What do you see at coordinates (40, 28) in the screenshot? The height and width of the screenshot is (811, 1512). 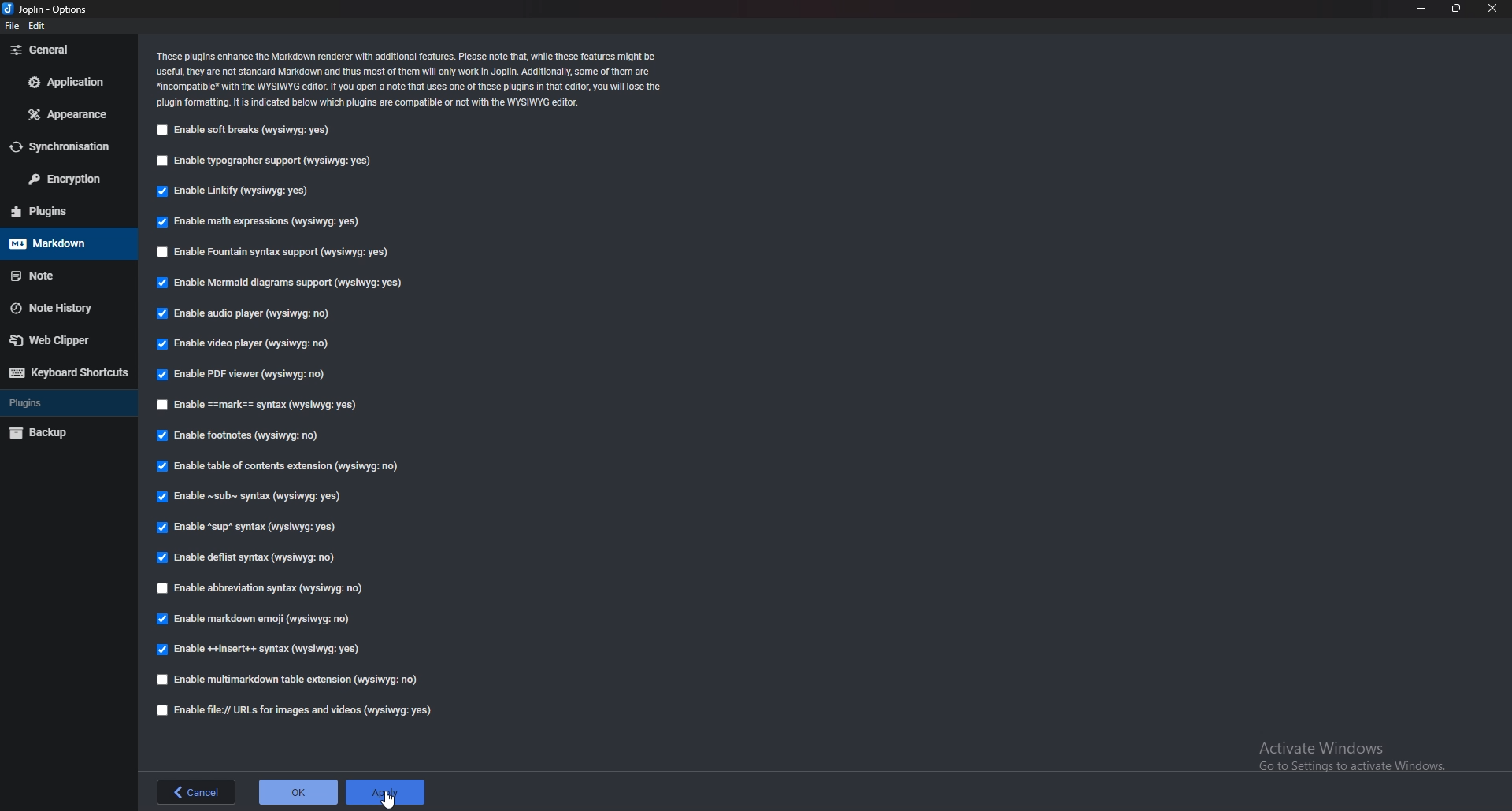 I see `edit` at bounding box center [40, 28].